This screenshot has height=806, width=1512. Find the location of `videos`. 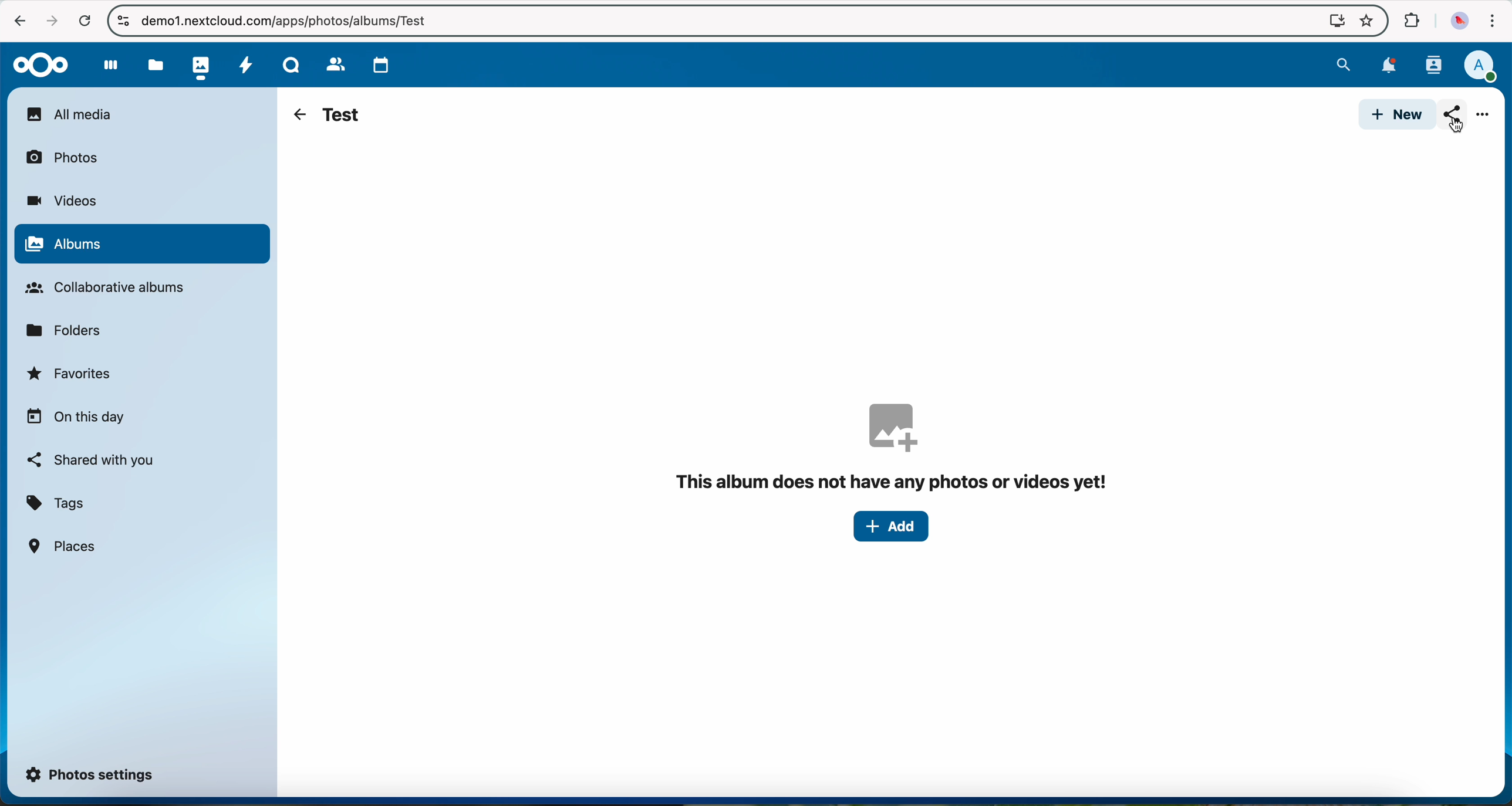

videos is located at coordinates (61, 201).